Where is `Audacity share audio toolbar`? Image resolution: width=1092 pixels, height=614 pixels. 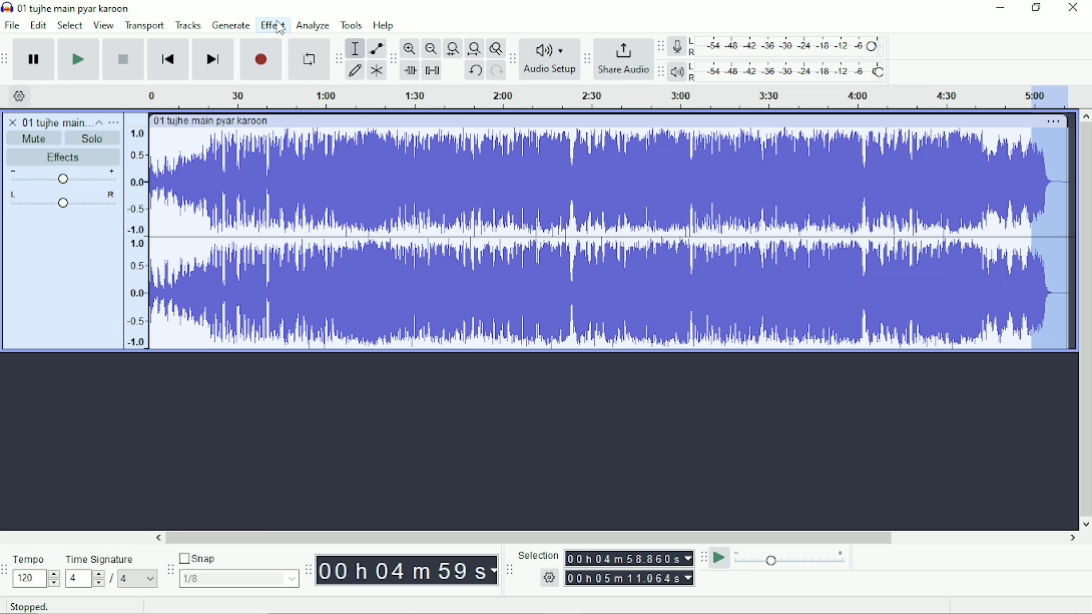 Audacity share audio toolbar is located at coordinates (588, 58).